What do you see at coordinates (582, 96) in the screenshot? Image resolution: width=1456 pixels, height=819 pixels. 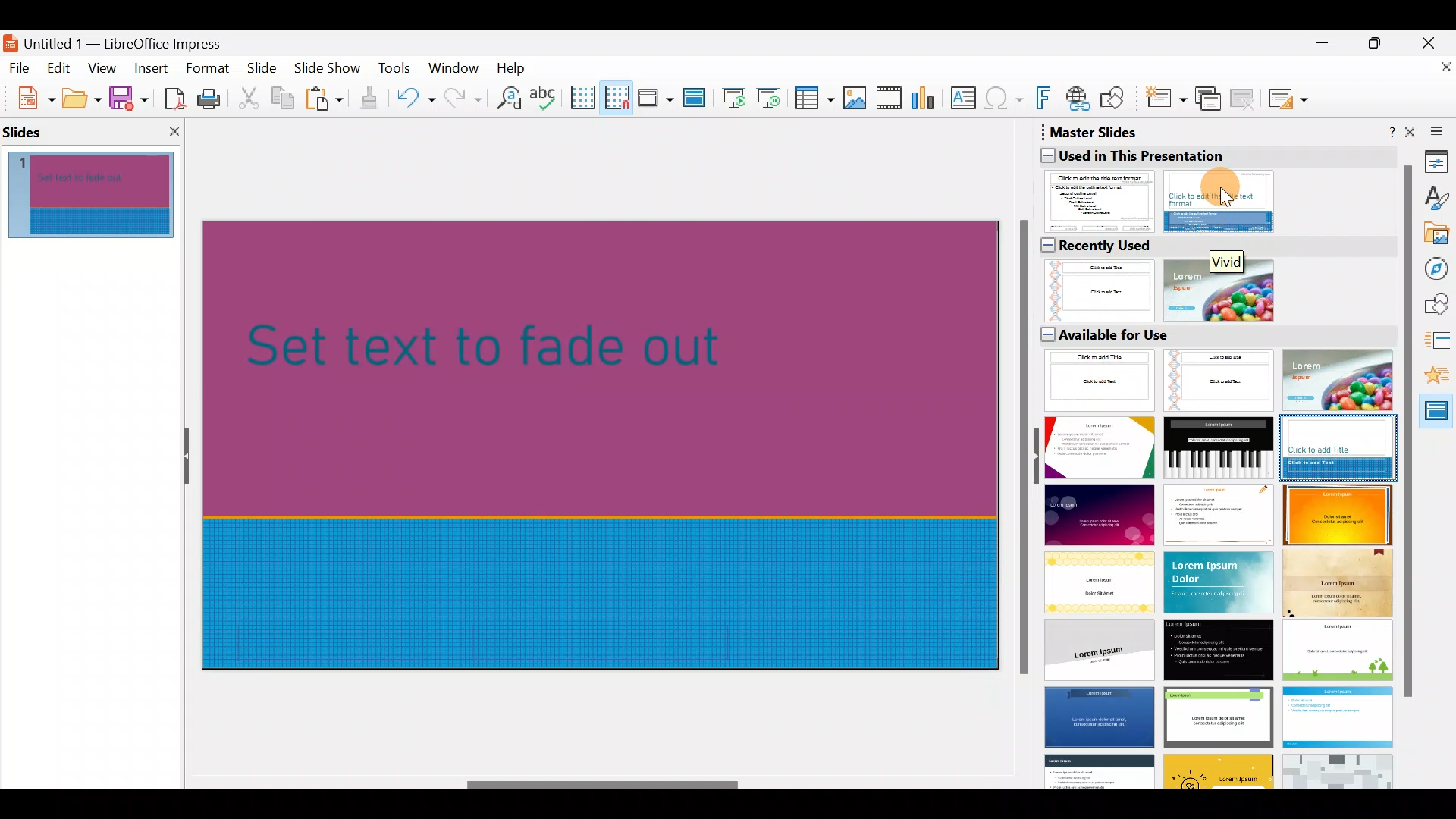 I see `Display grid` at bounding box center [582, 96].